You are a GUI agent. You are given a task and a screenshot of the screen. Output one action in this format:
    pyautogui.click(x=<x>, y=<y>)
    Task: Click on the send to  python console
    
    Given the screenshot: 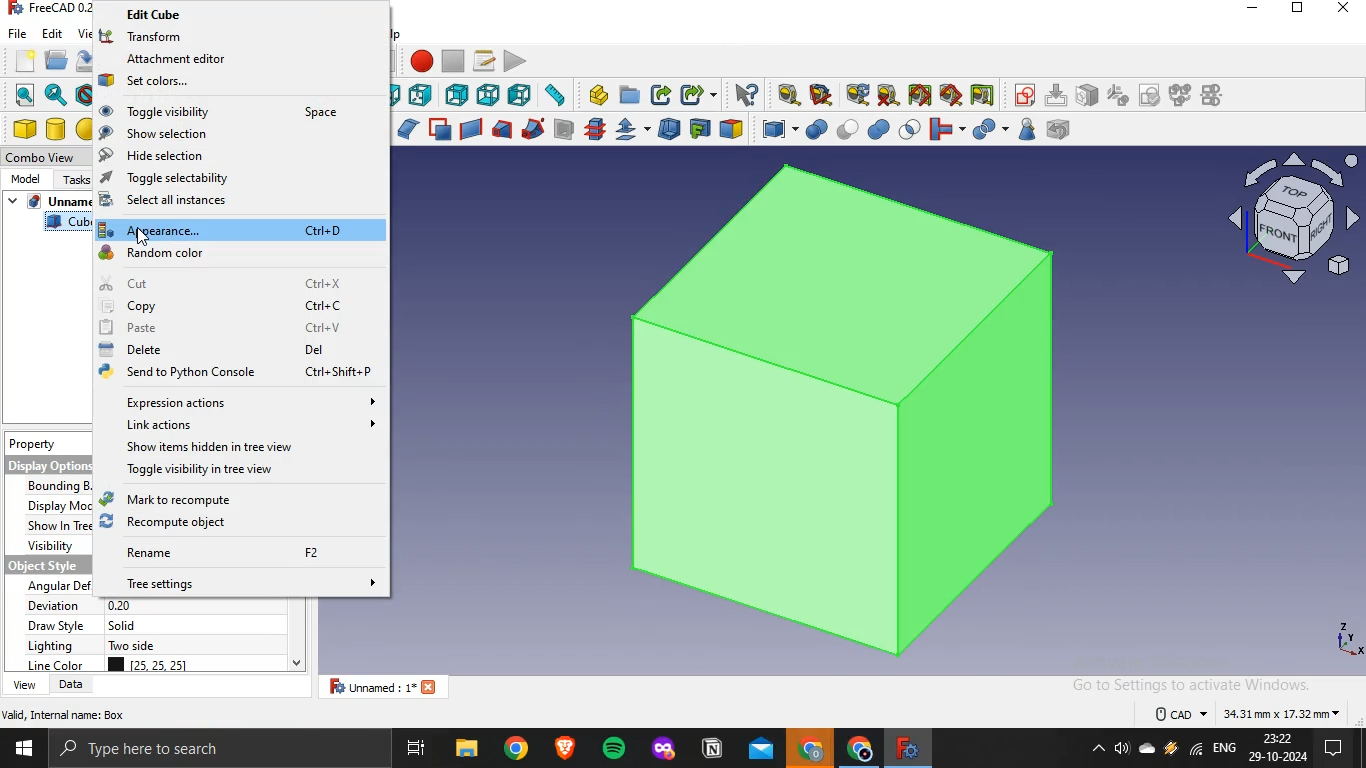 What is the action you would take?
    pyautogui.click(x=231, y=373)
    